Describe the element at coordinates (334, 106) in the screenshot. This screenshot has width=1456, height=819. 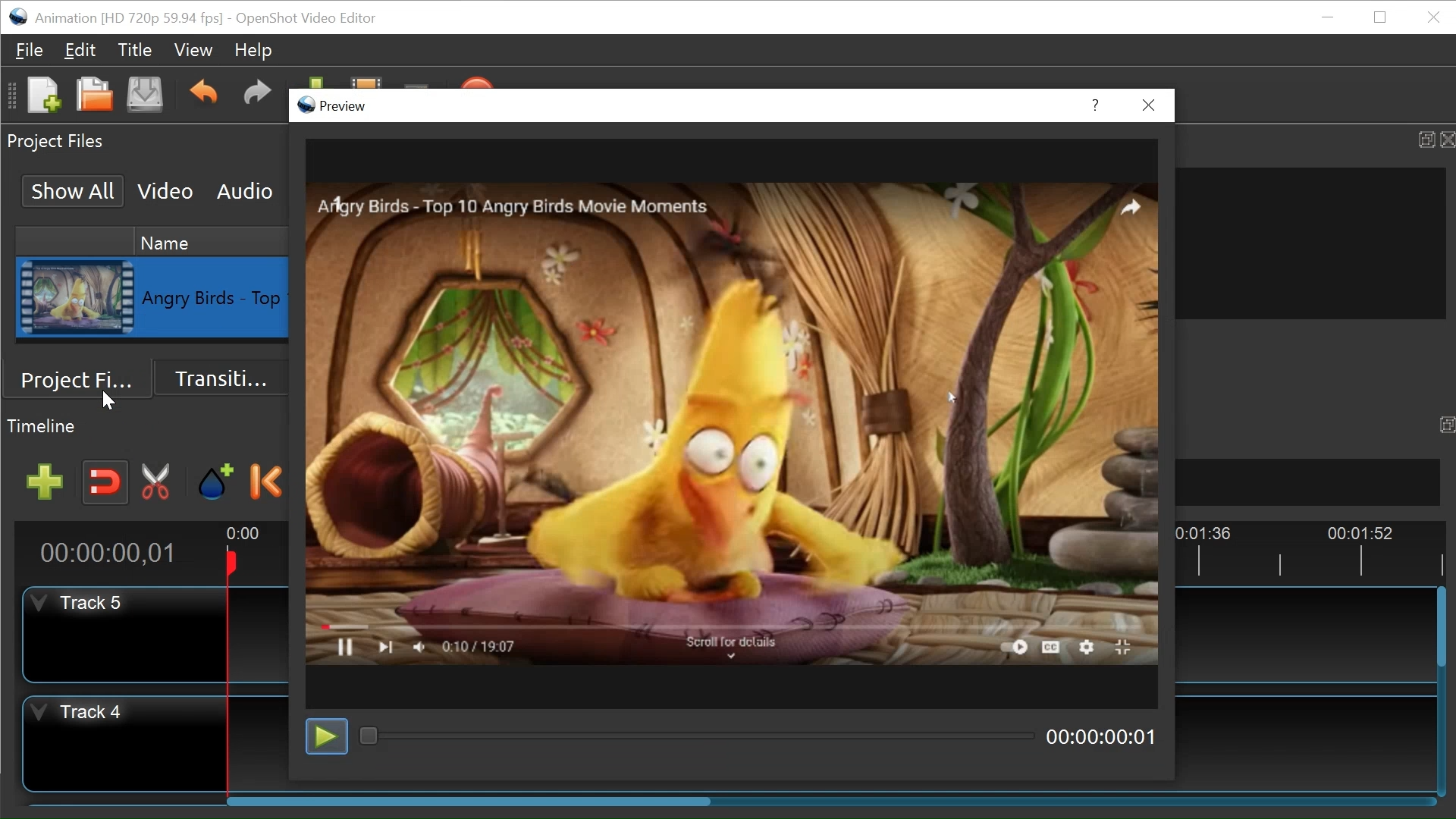
I see `Preview` at that location.